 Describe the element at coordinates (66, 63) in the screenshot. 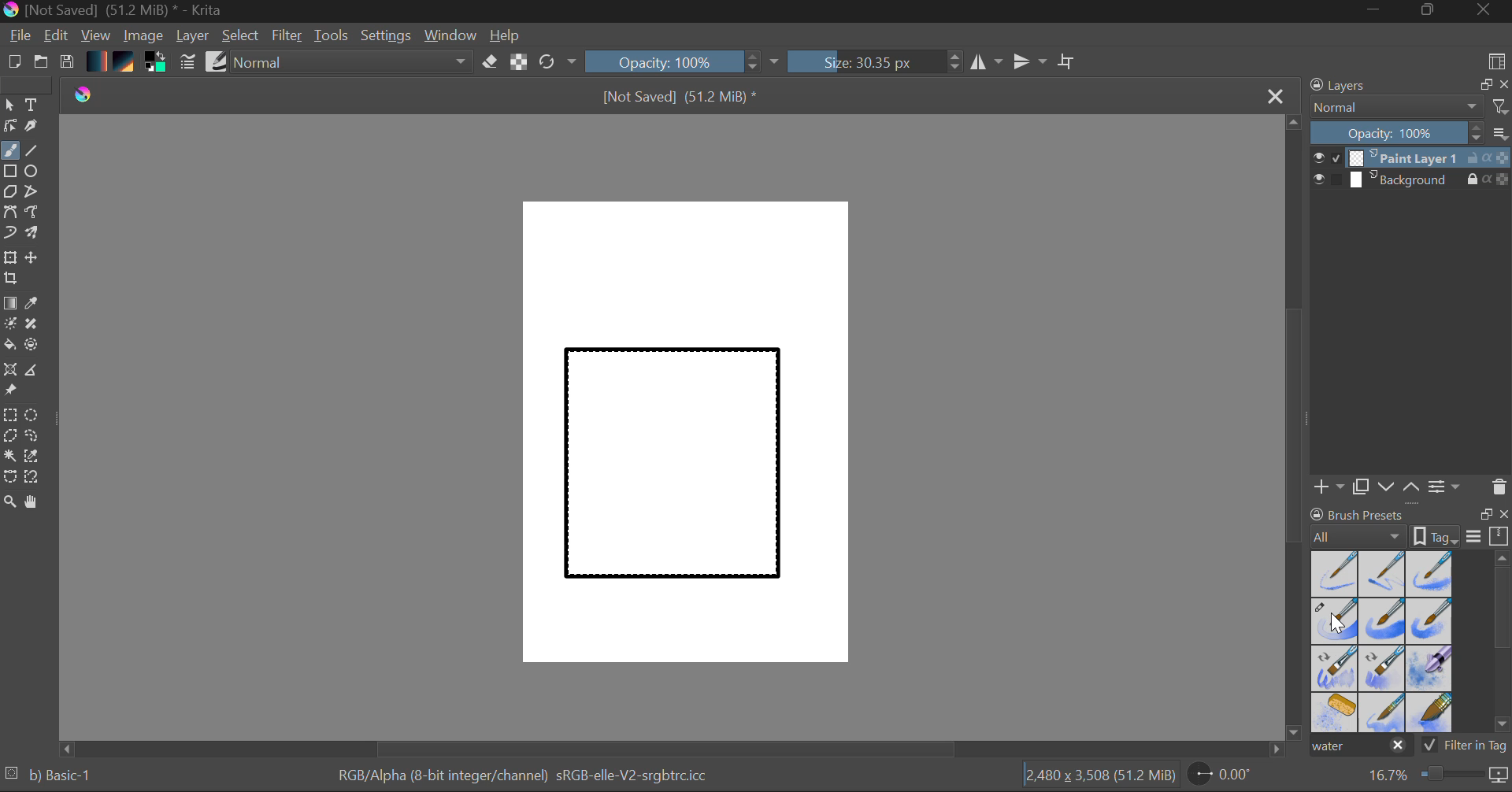

I see `Save` at that location.